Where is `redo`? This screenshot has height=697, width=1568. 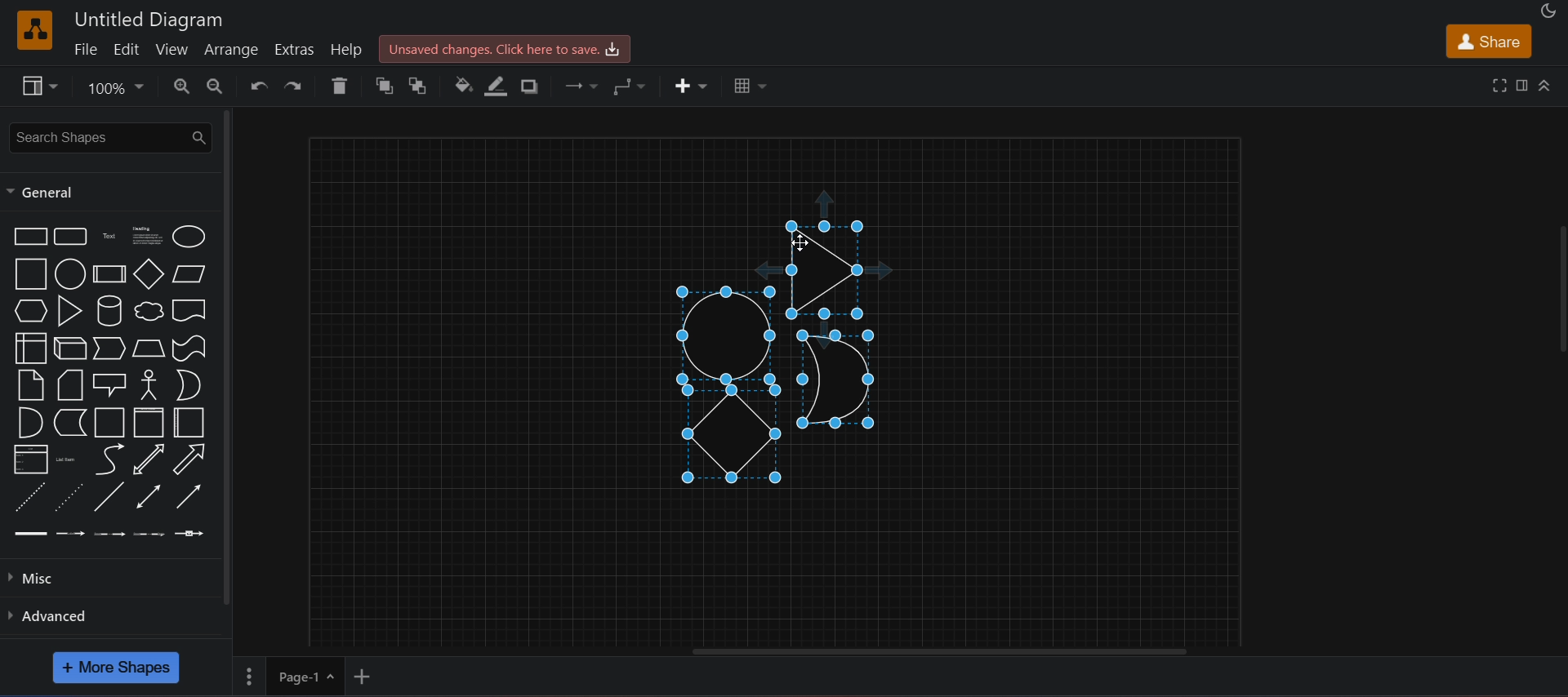 redo is located at coordinates (299, 86).